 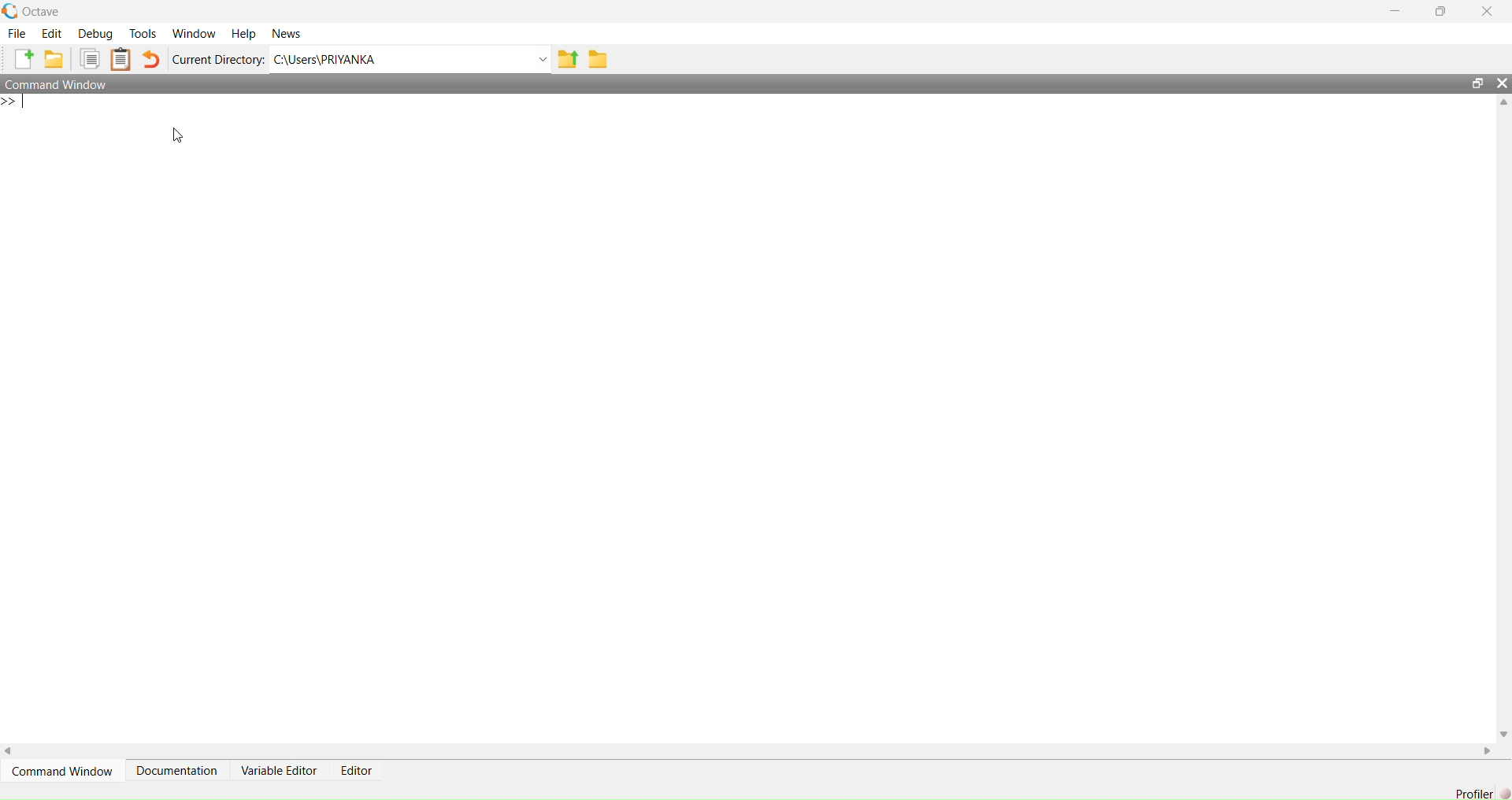 What do you see at coordinates (343, 59) in the screenshot?
I see `C:\Users\PRIYANKA` at bounding box center [343, 59].